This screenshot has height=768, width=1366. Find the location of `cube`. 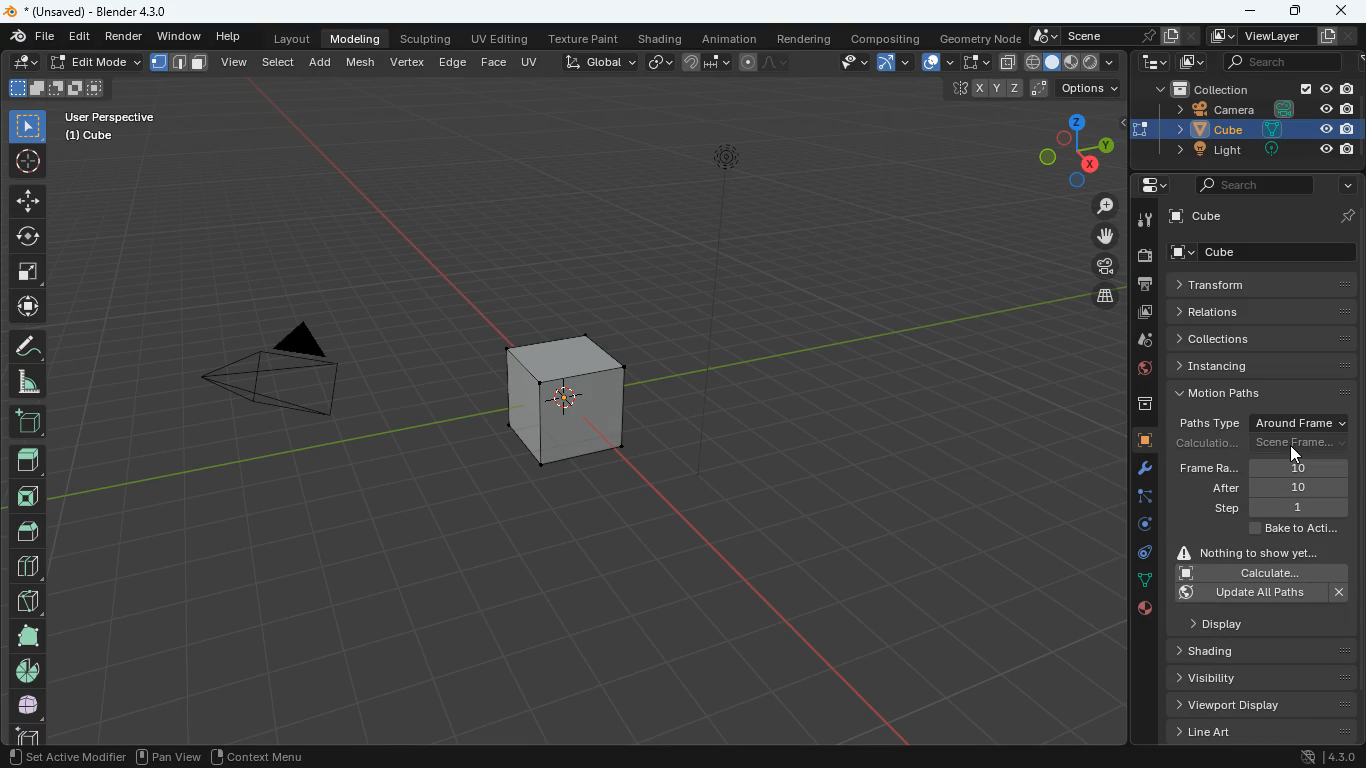

cube is located at coordinates (1260, 128).